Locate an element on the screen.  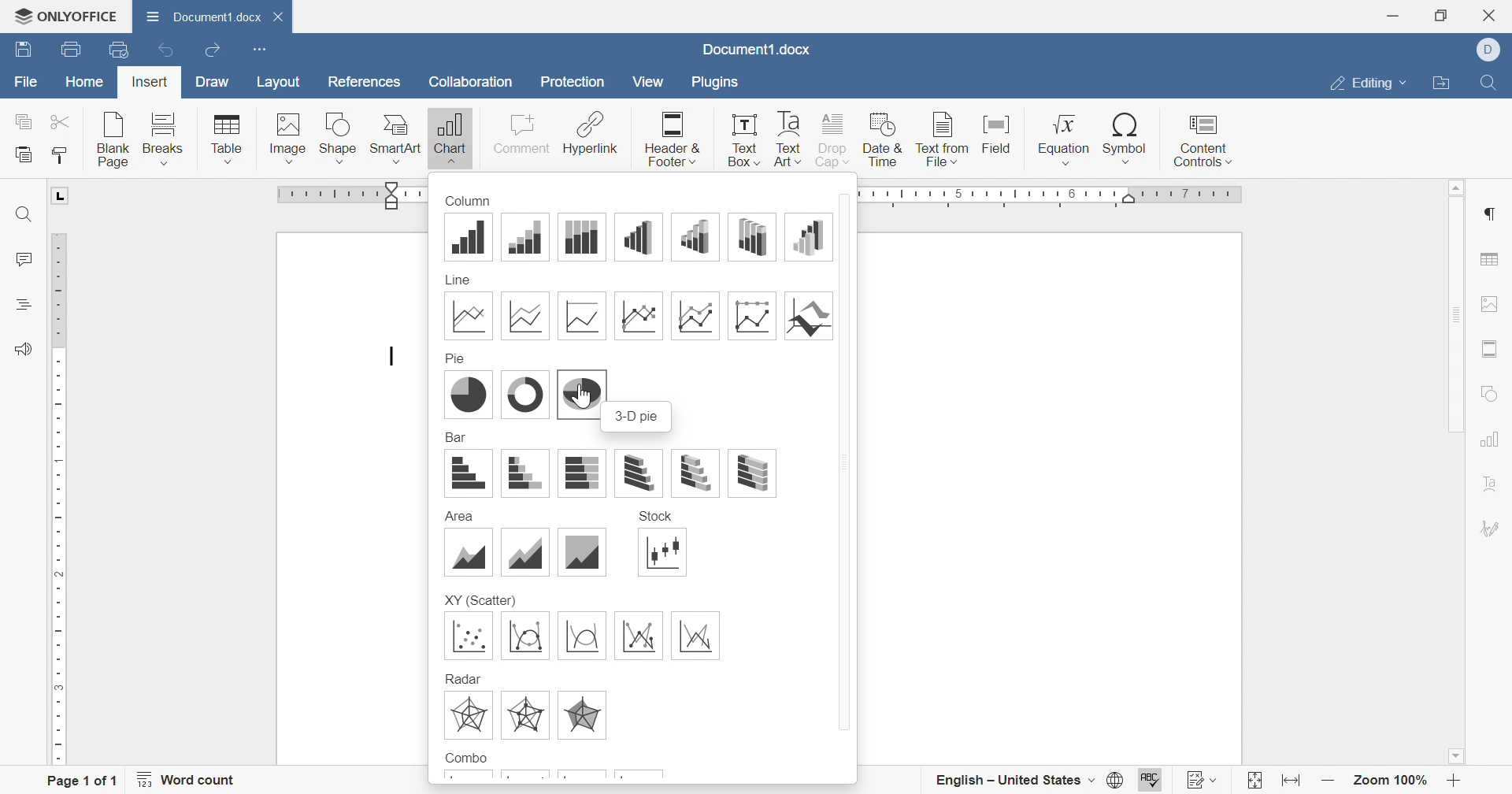
zoom out is located at coordinates (1325, 780).